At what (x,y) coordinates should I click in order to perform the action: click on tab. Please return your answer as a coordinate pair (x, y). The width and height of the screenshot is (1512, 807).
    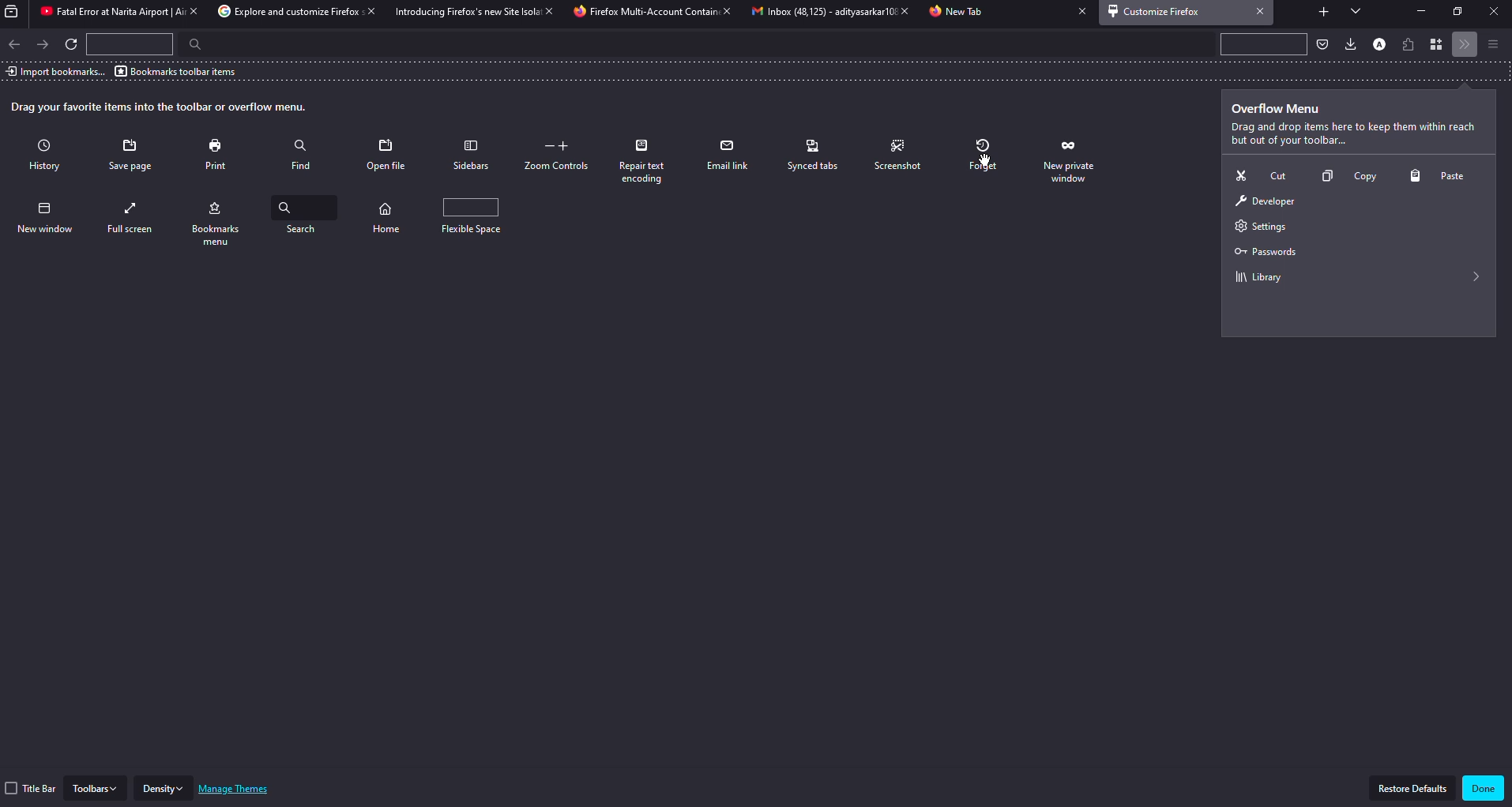
    Looking at the image, I should click on (462, 12).